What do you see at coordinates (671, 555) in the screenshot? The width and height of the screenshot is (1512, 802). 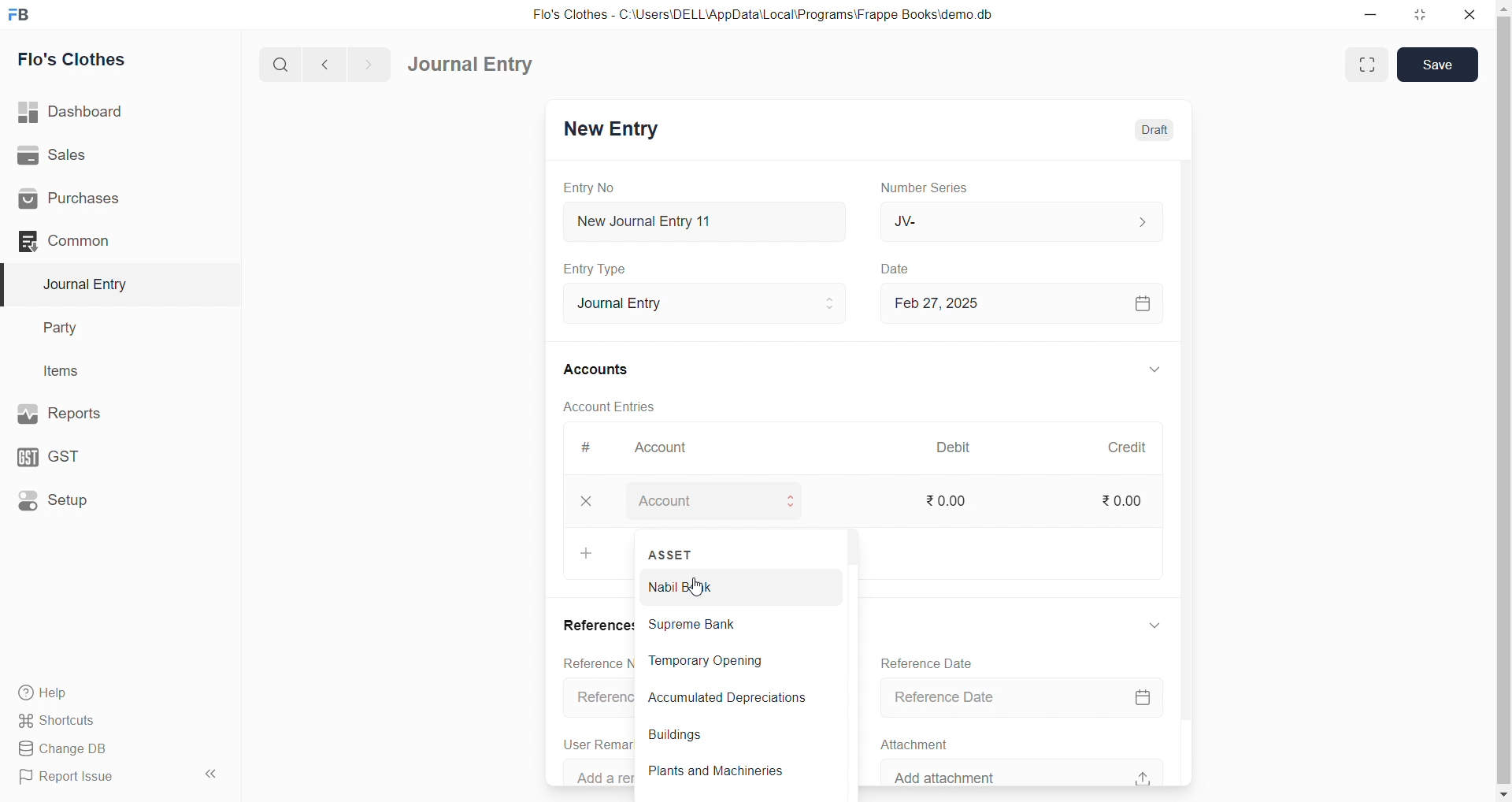 I see `ASSET` at bounding box center [671, 555].